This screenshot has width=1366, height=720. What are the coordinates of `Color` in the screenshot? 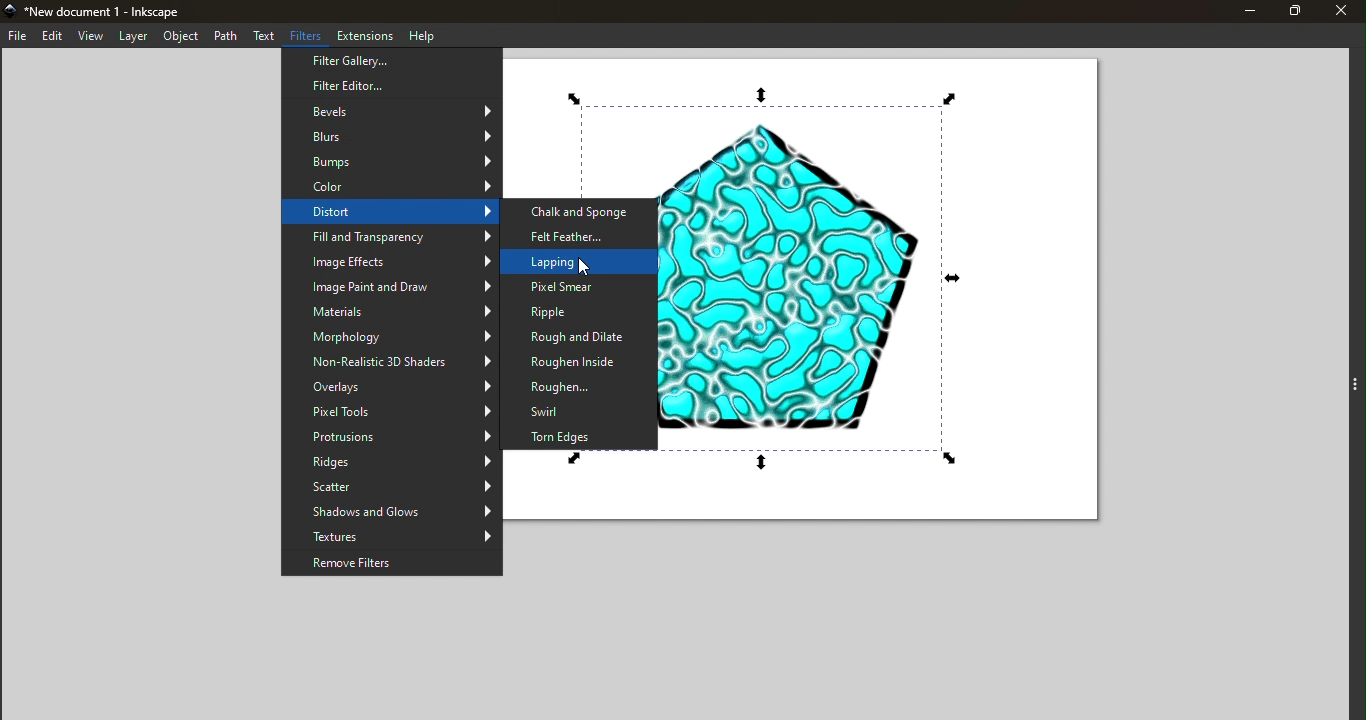 It's located at (388, 187).